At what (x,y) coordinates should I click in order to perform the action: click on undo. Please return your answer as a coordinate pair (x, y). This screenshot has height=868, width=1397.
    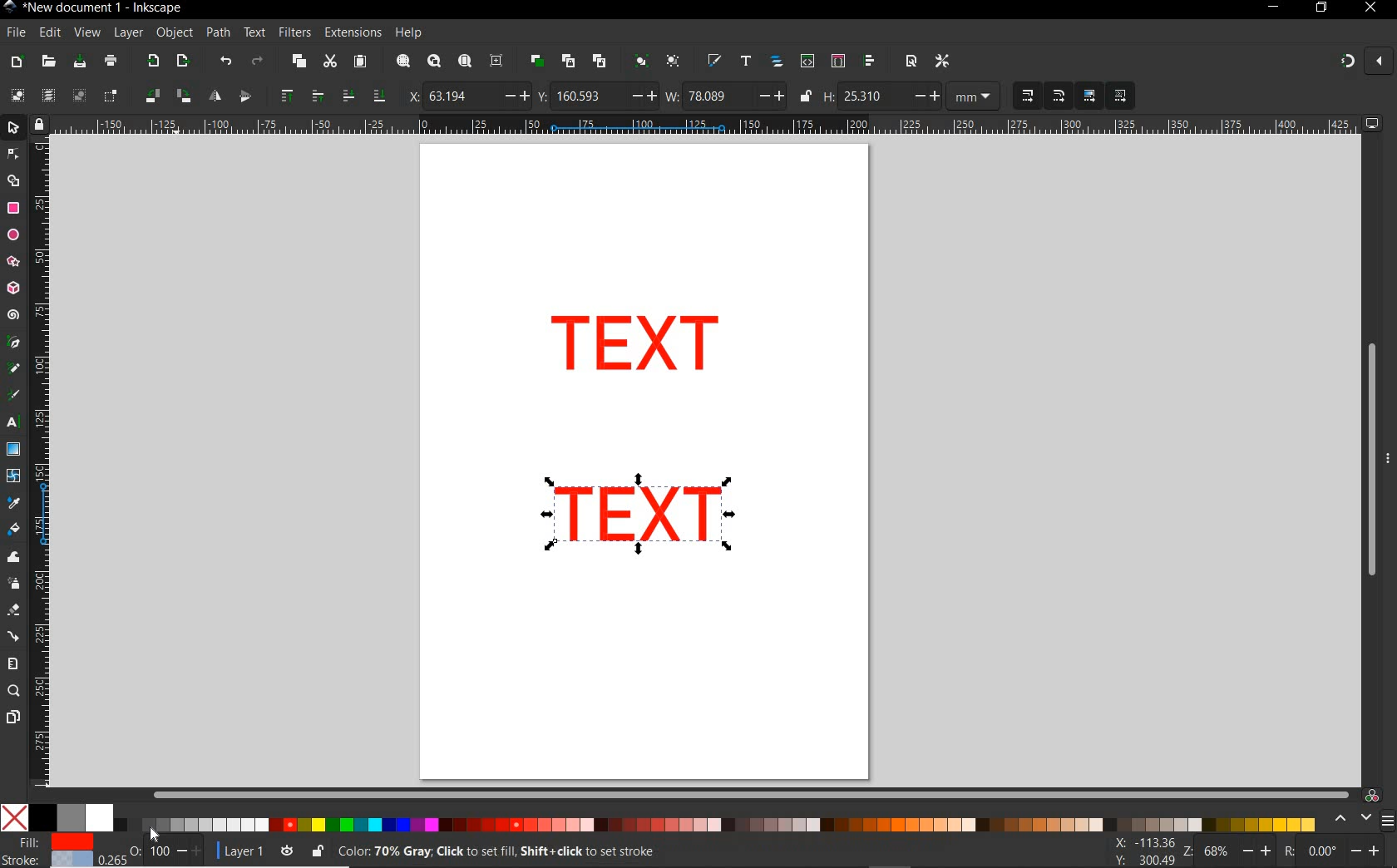
    Looking at the image, I should click on (225, 62).